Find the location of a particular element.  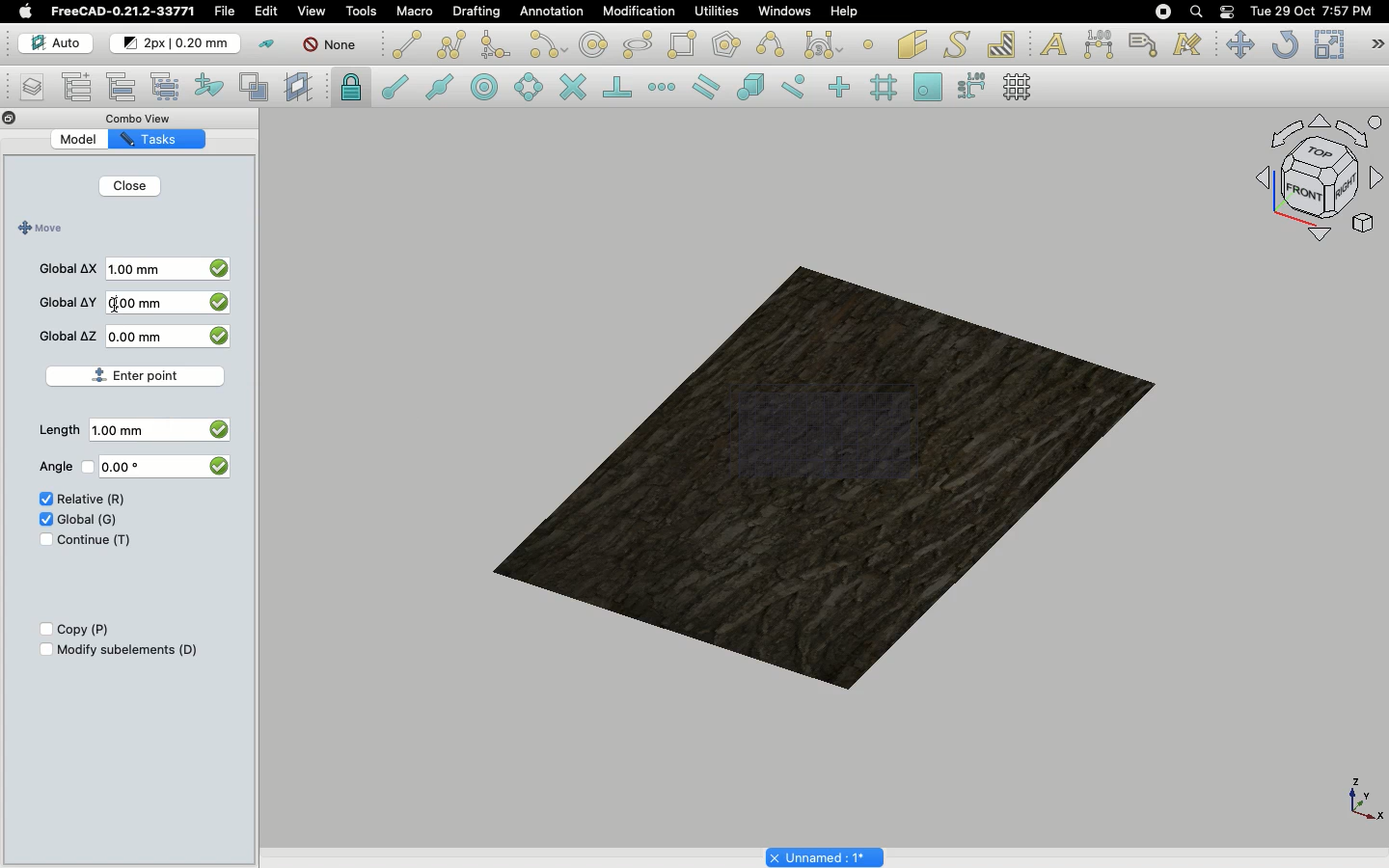

Help is located at coordinates (844, 11).